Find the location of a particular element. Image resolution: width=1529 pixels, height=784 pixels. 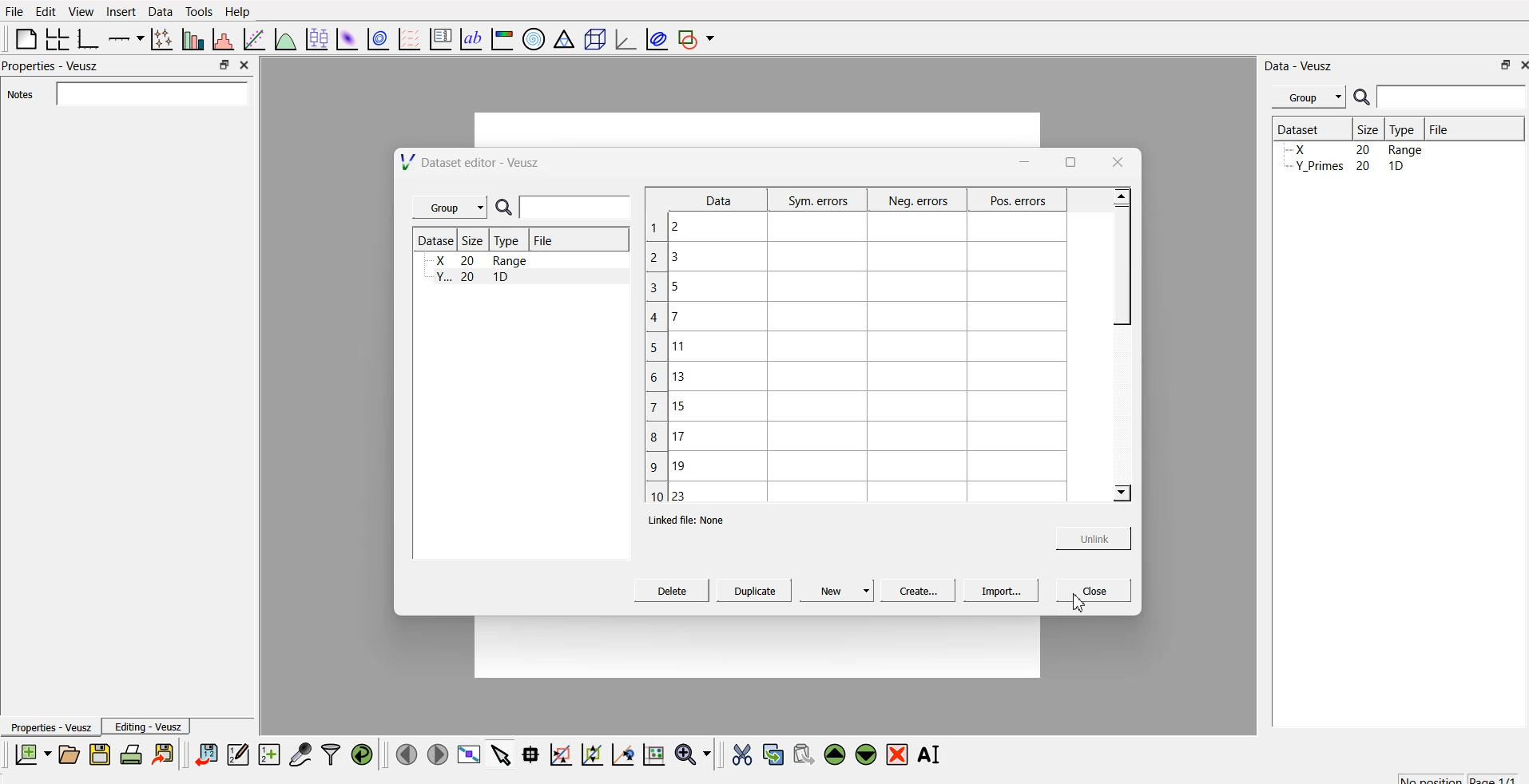

Data - Veusz is located at coordinates (1301, 63).